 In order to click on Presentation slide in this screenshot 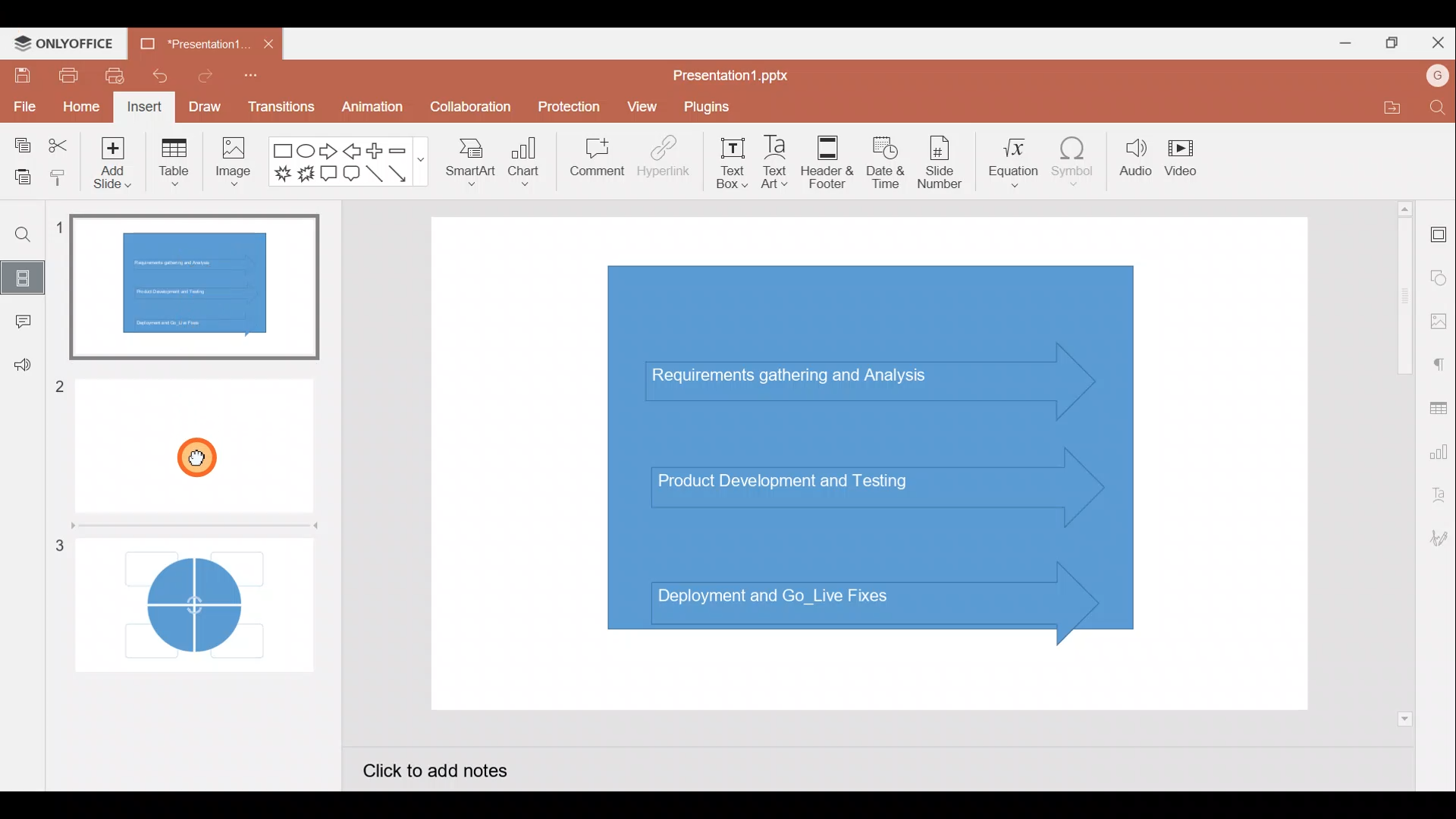, I will do `click(879, 466)`.